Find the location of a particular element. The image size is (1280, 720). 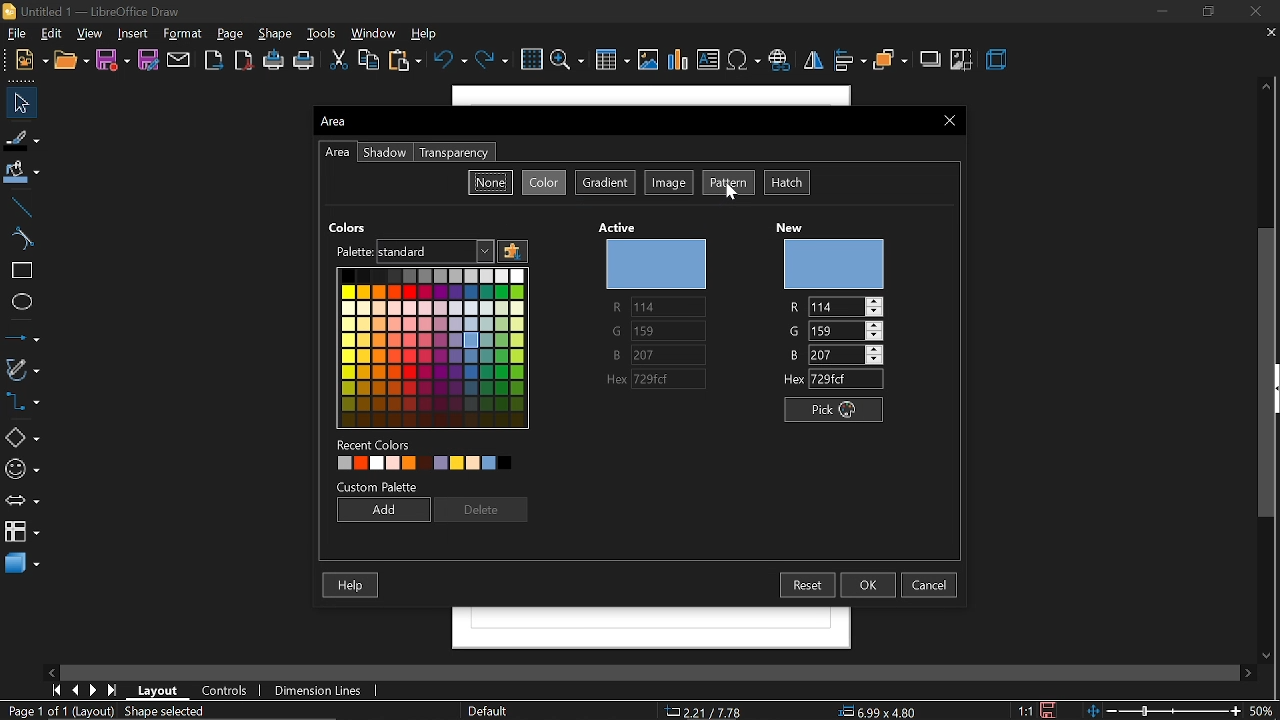

add is located at coordinates (384, 509).